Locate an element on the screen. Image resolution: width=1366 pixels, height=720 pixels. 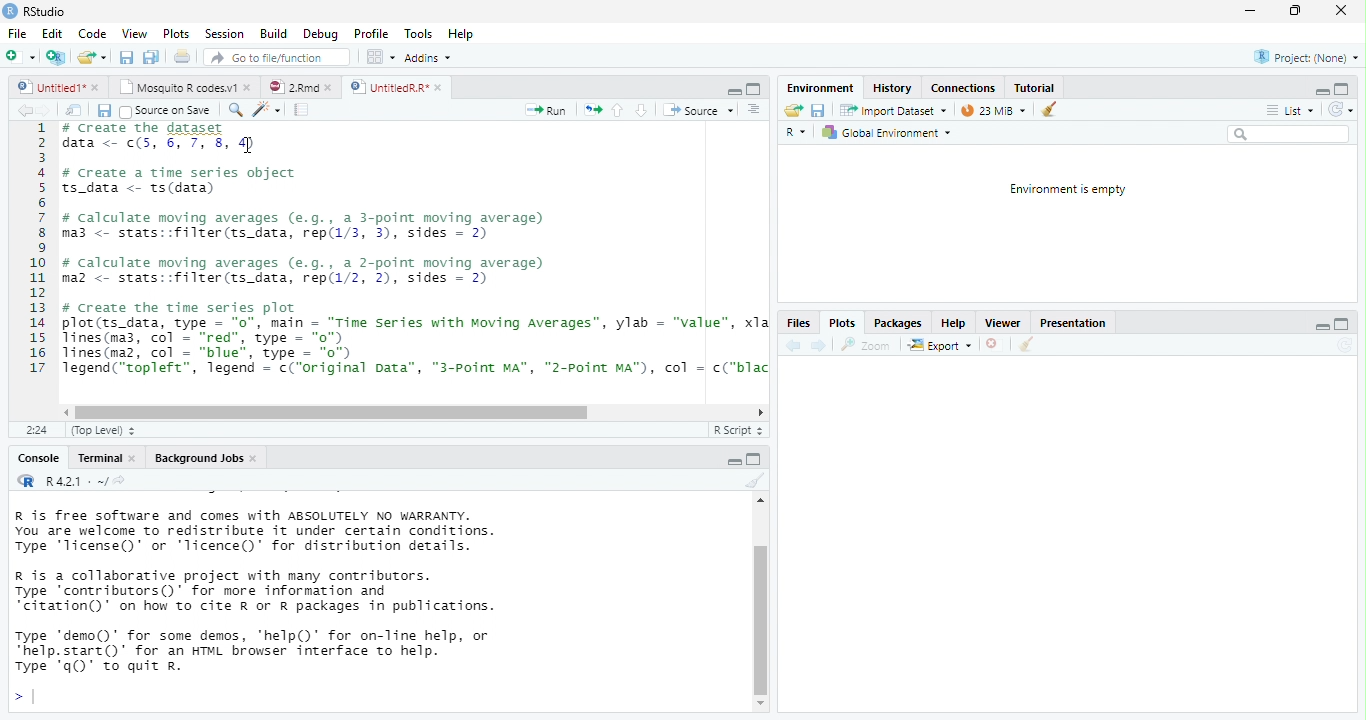
Plots is located at coordinates (840, 325).